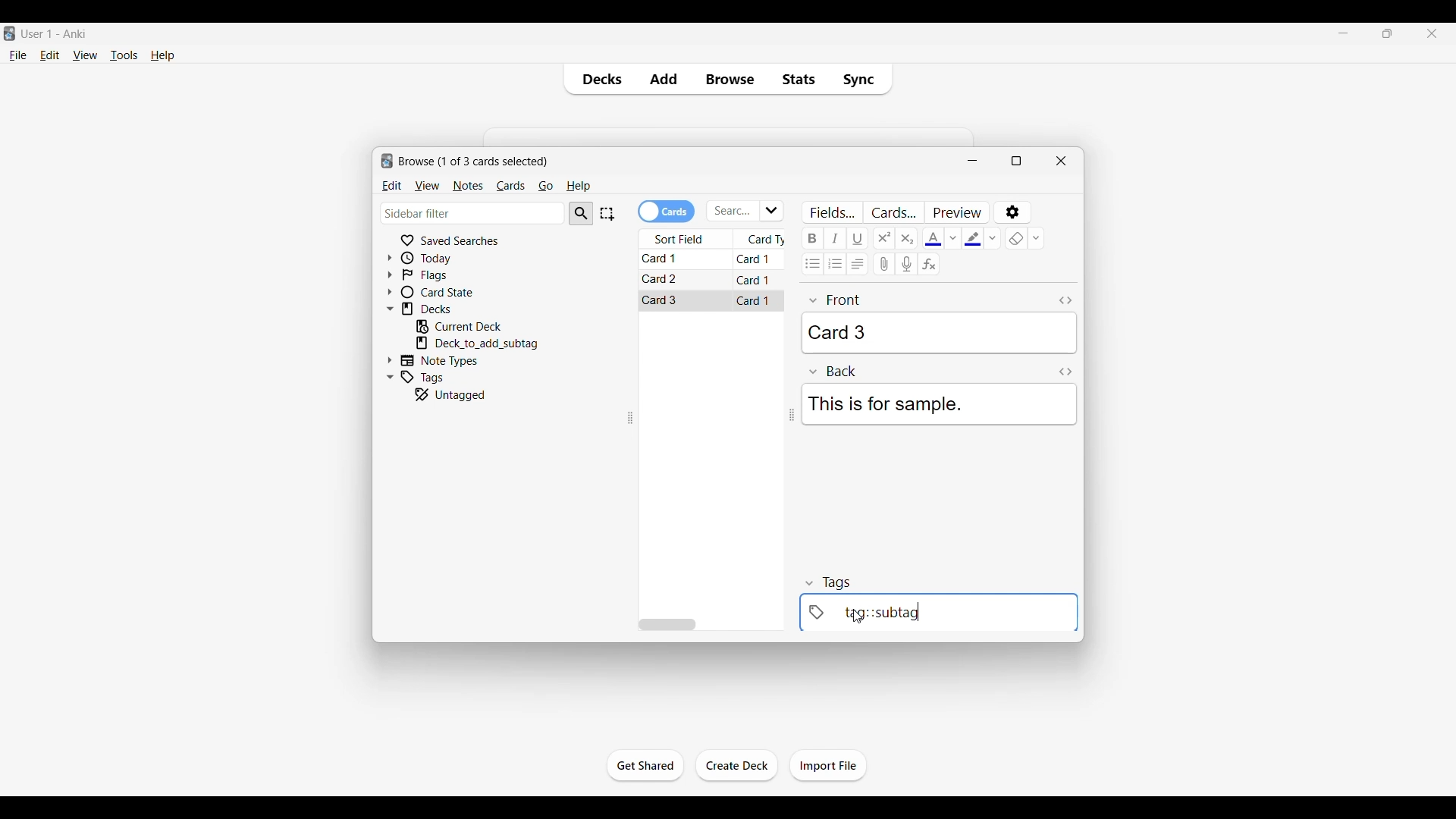  Describe the element at coordinates (663, 79) in the screenshot. I see `Add` at that location.